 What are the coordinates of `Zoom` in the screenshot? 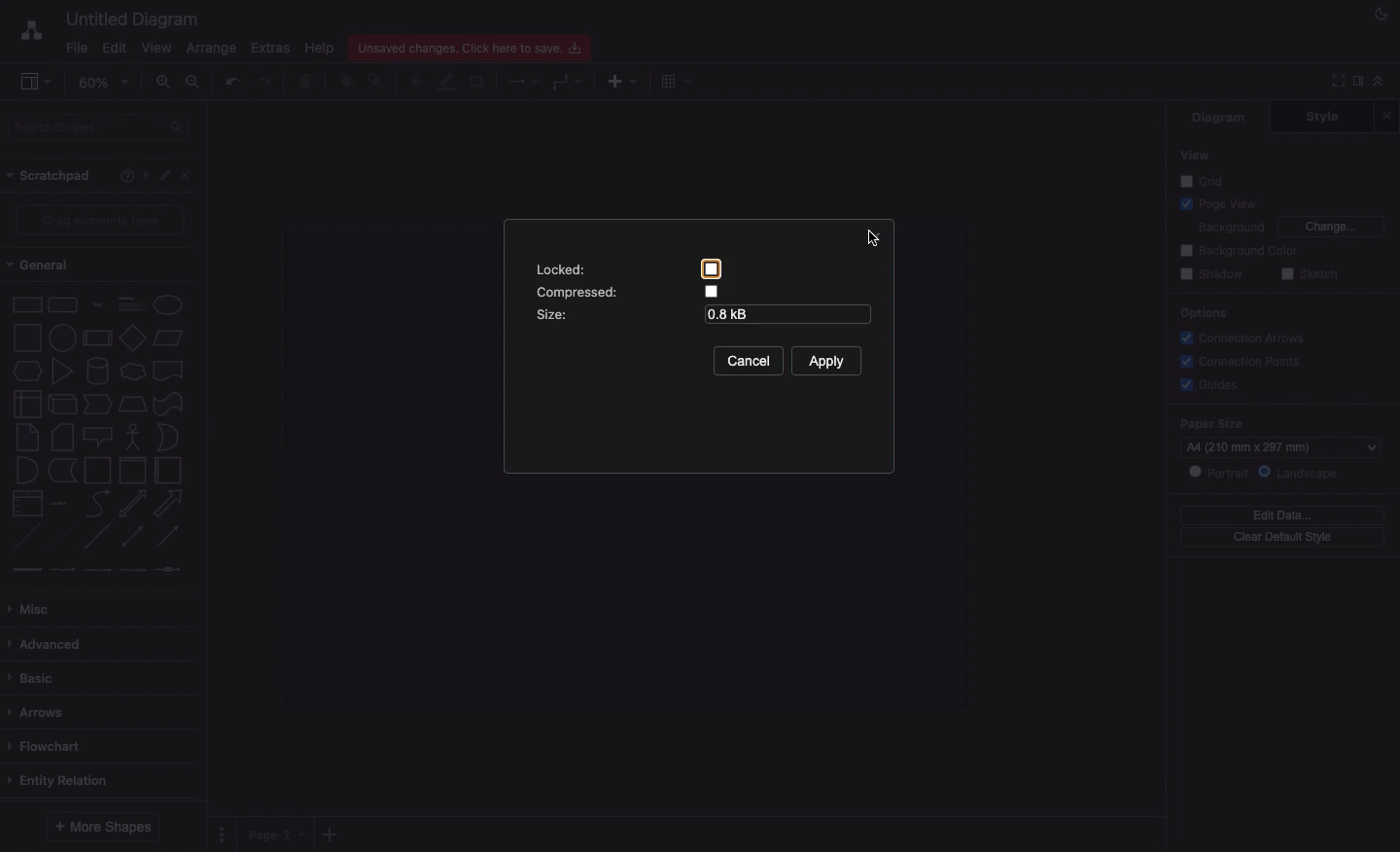 It's located at (103, 81).